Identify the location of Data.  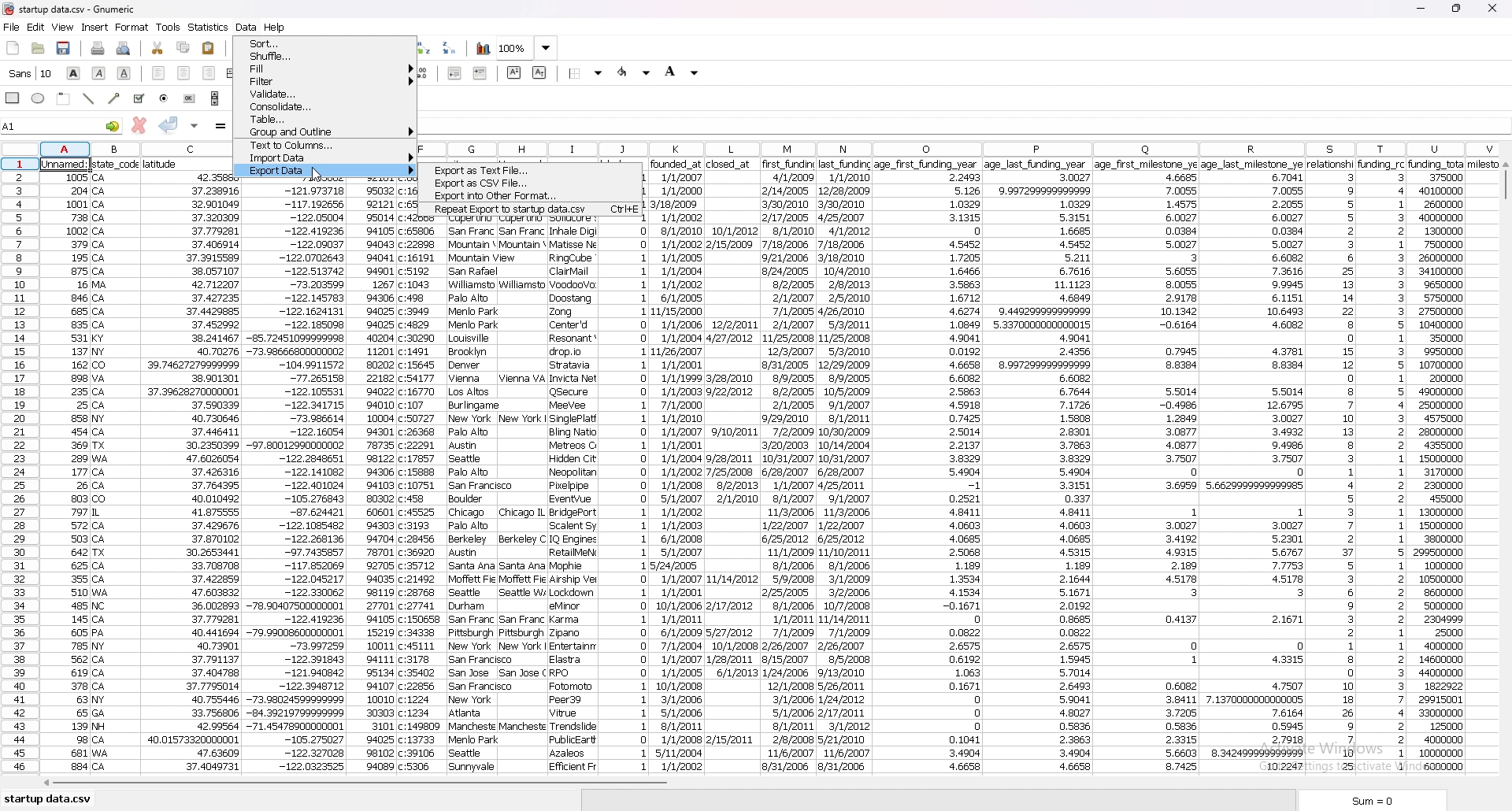
(245, 25).